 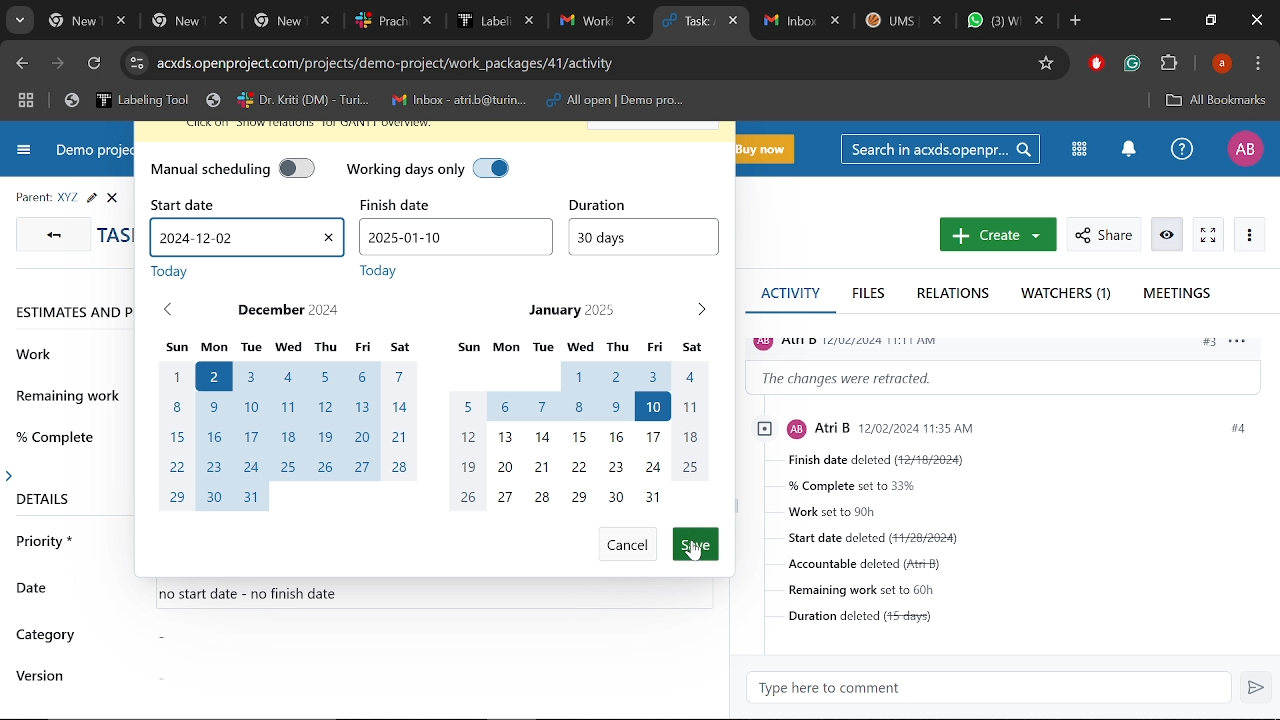 I want to click on Other tabs, so click(x=344, y=21).